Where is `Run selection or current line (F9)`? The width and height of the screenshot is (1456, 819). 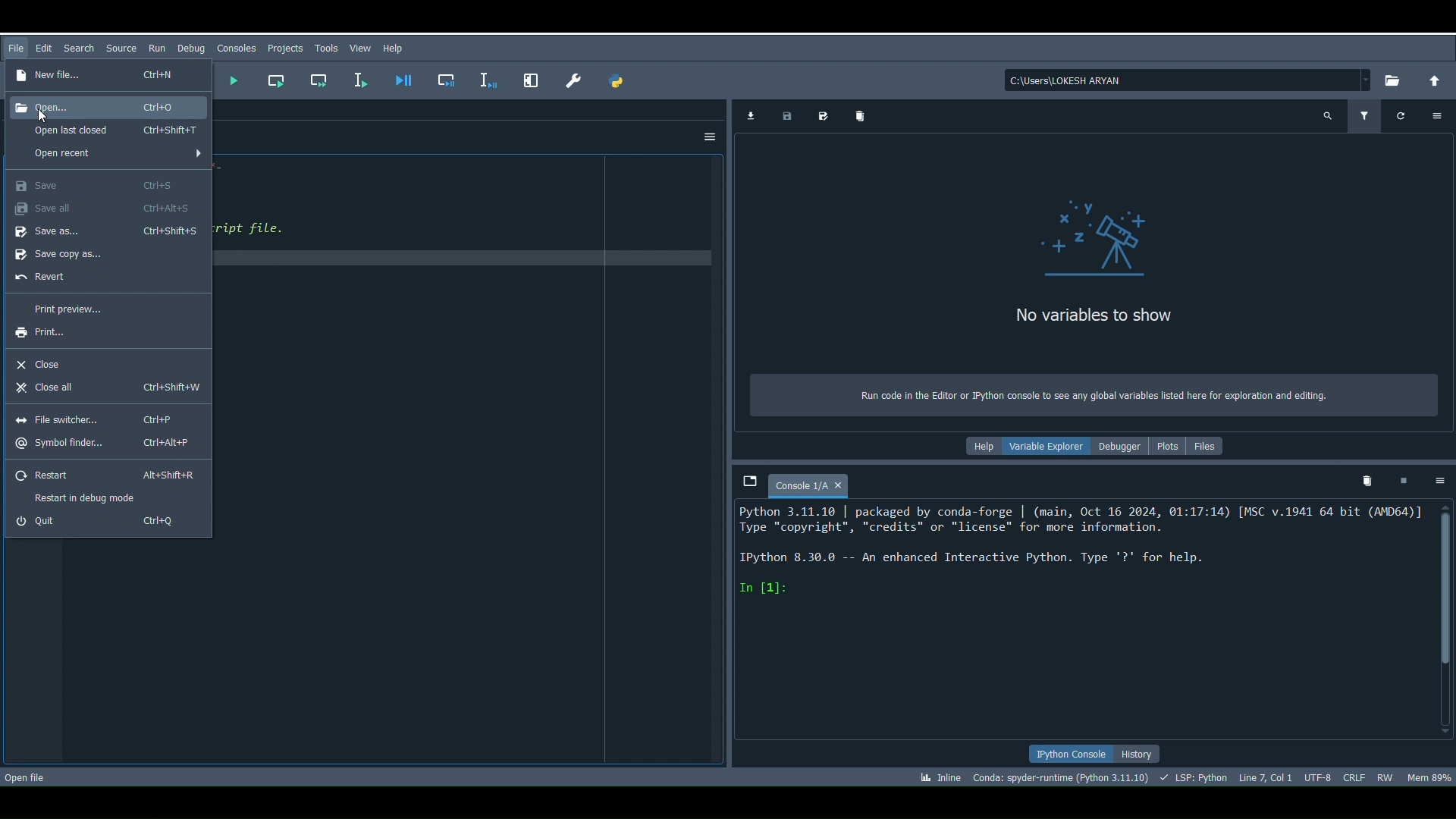
Run selection or current line (F9) is located at coordinates (362, 78).